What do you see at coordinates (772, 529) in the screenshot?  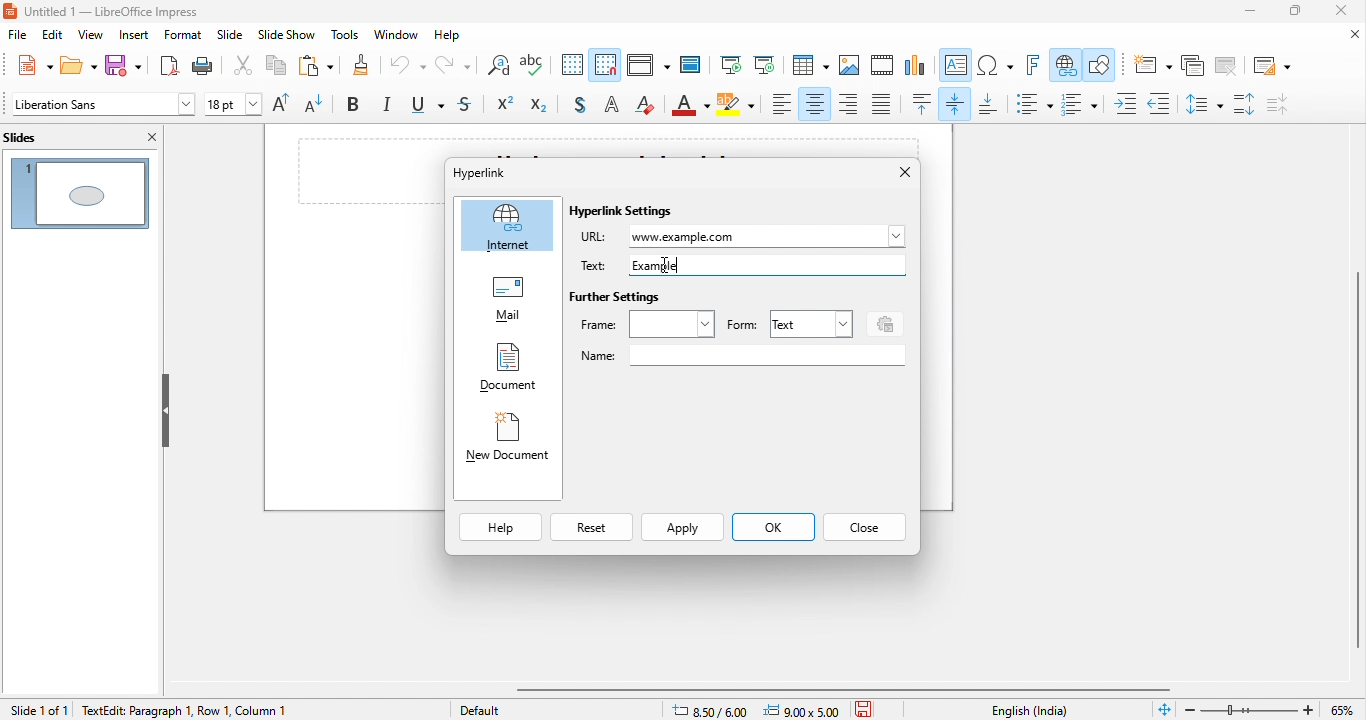 I see `ok` at bounding box center [772, 529].